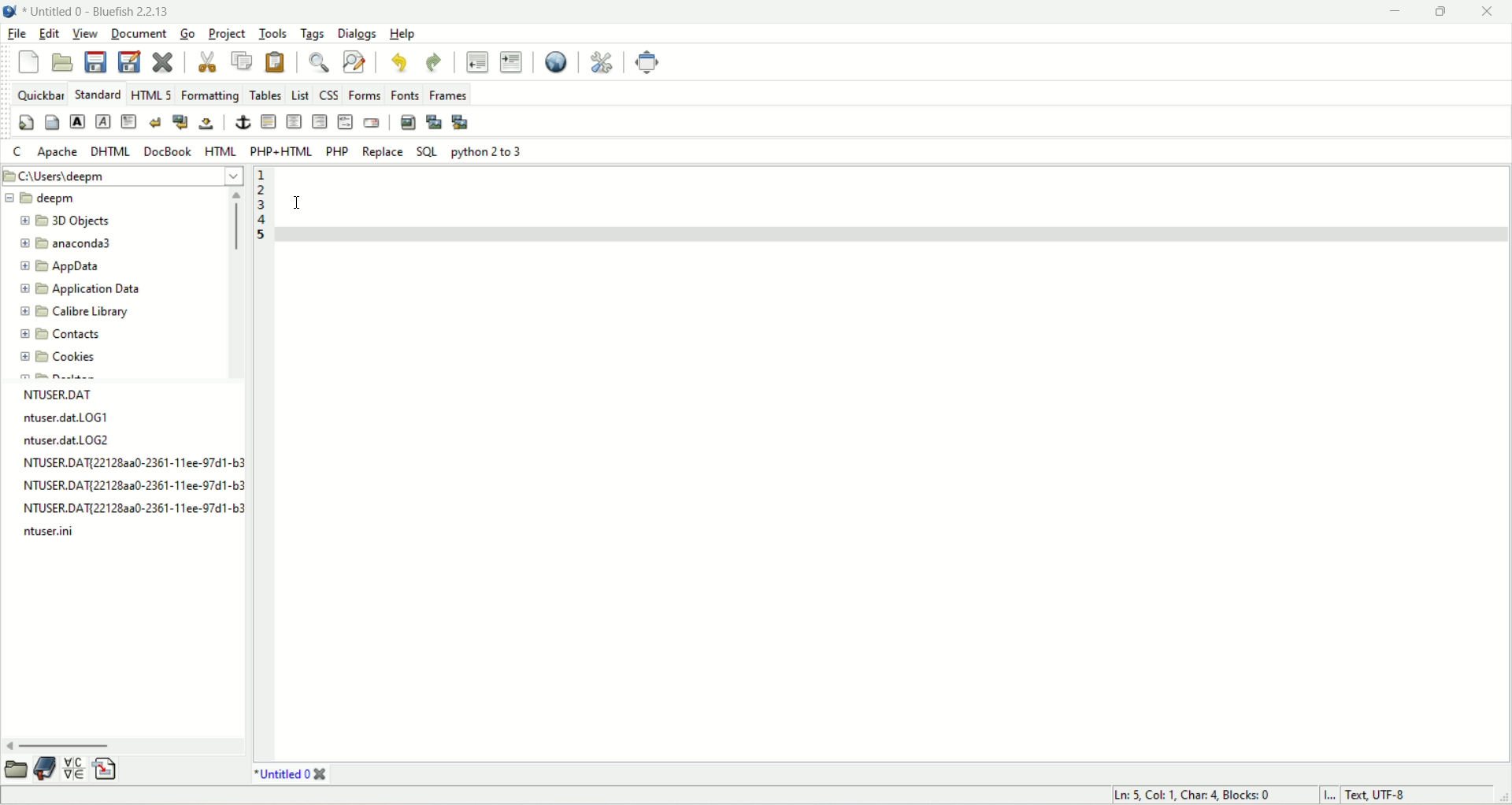 The width and height of the screenshot is (1512, 805). Describe the element at coordinates (81, 289) in the screenshot. I see `application data` at that location.